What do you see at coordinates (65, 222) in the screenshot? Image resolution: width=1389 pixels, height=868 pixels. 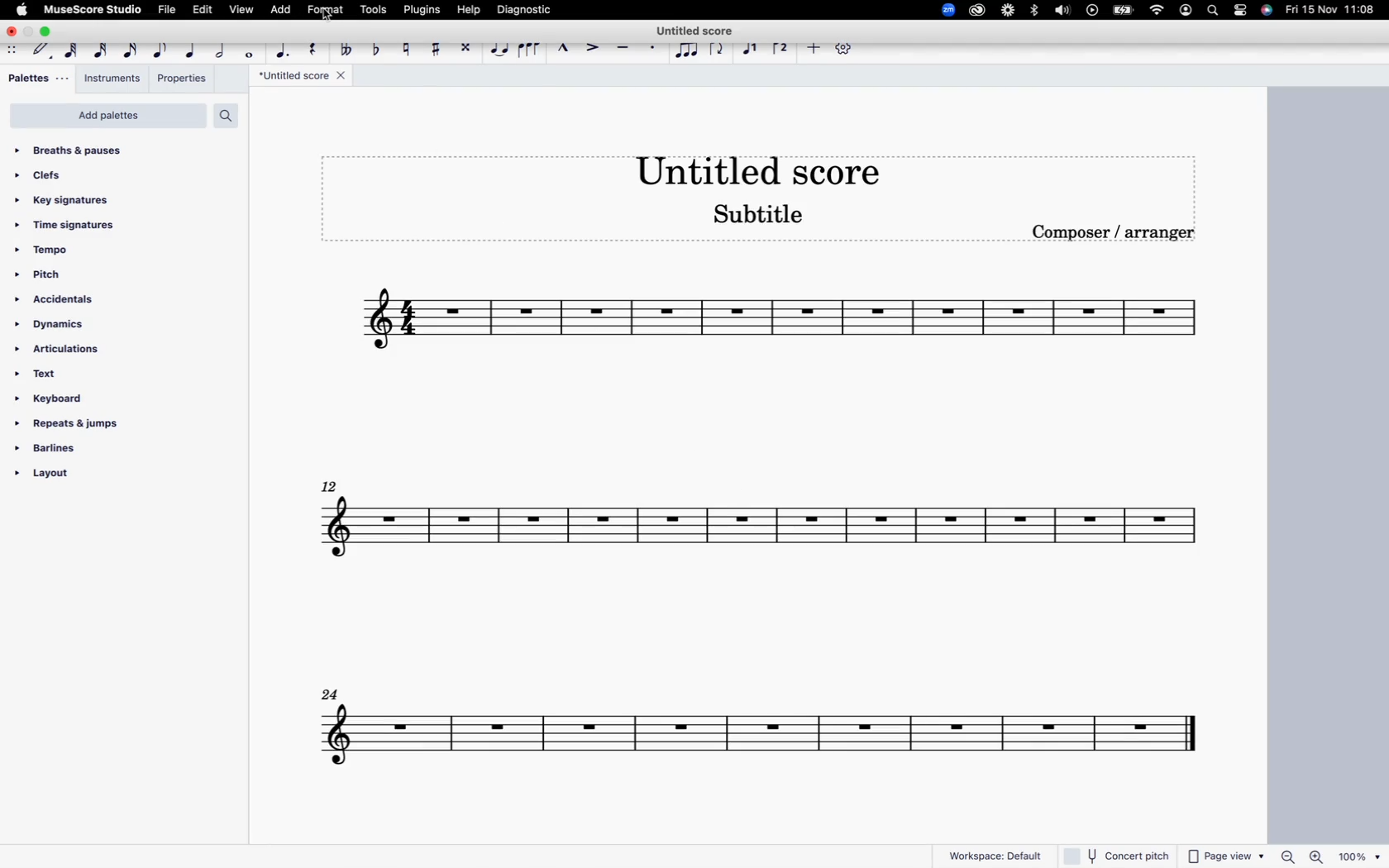 I see `time signatures` at bounding box center [65, 222].